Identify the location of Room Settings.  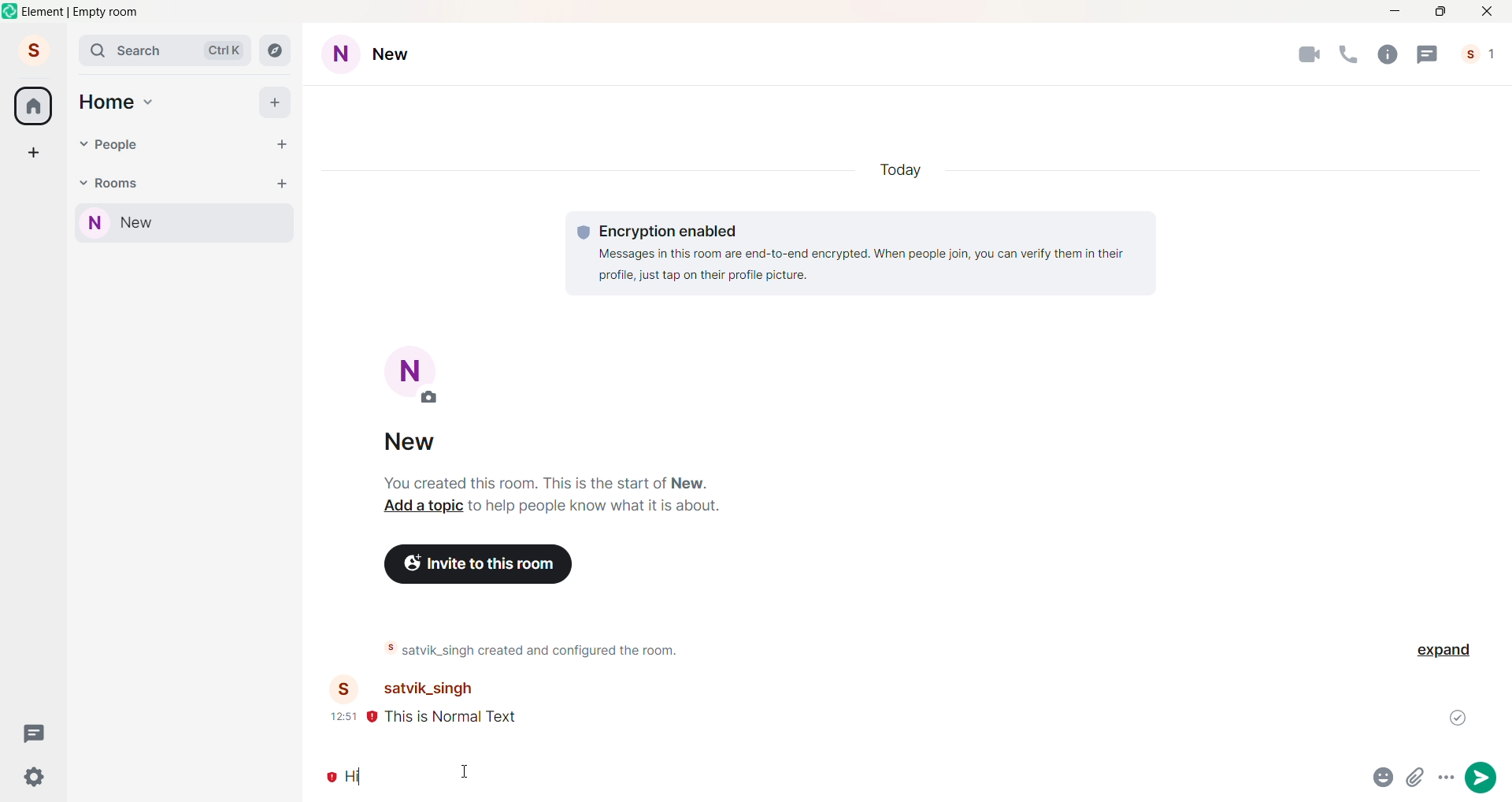
(383, 55).